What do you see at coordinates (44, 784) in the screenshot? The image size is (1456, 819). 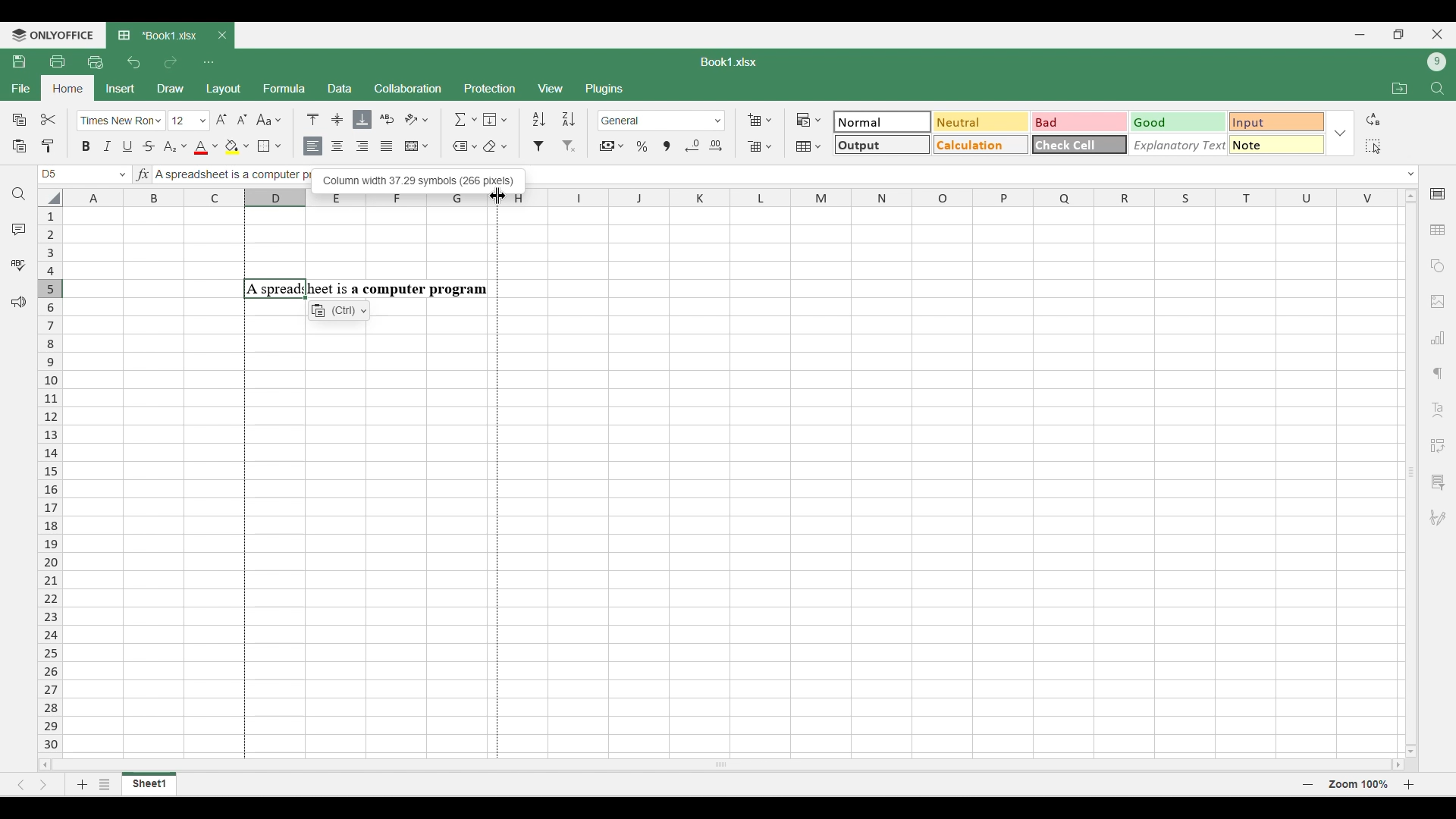 I see `Next` at bounding box center [44, 784].